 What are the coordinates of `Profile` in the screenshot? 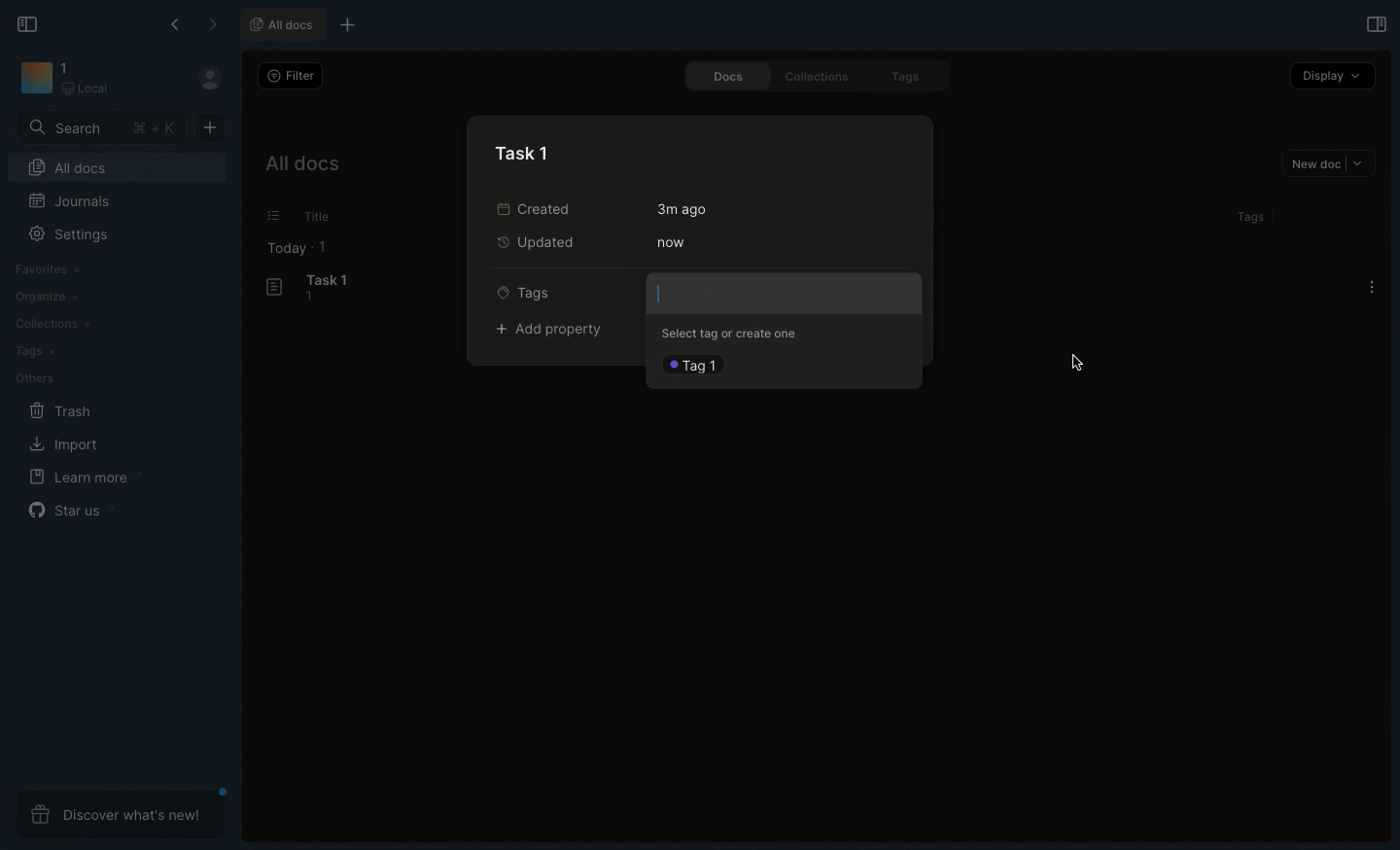 It's located at (208, 77).